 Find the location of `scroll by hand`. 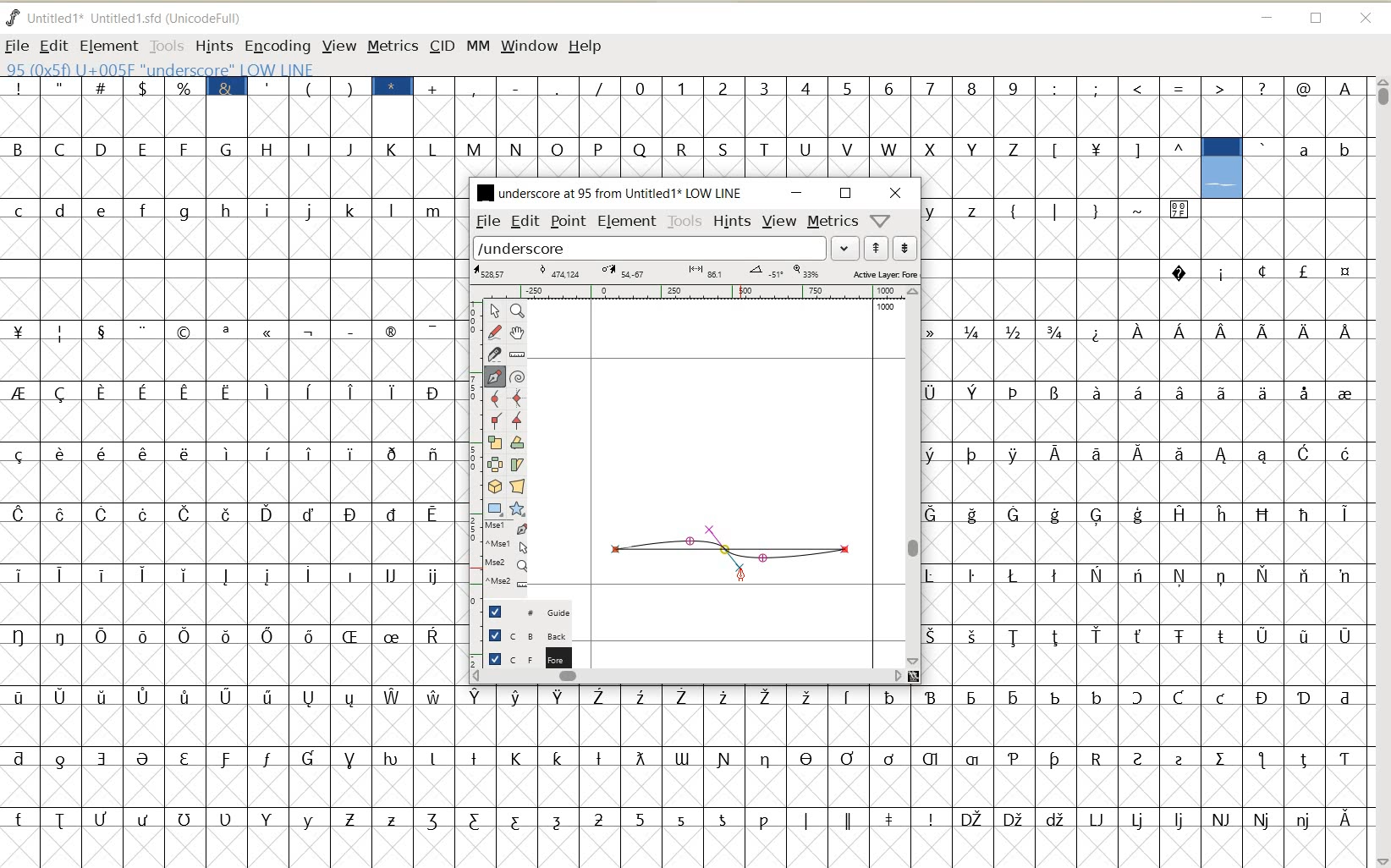

scroll by hand is located at coordinates (519, 332).